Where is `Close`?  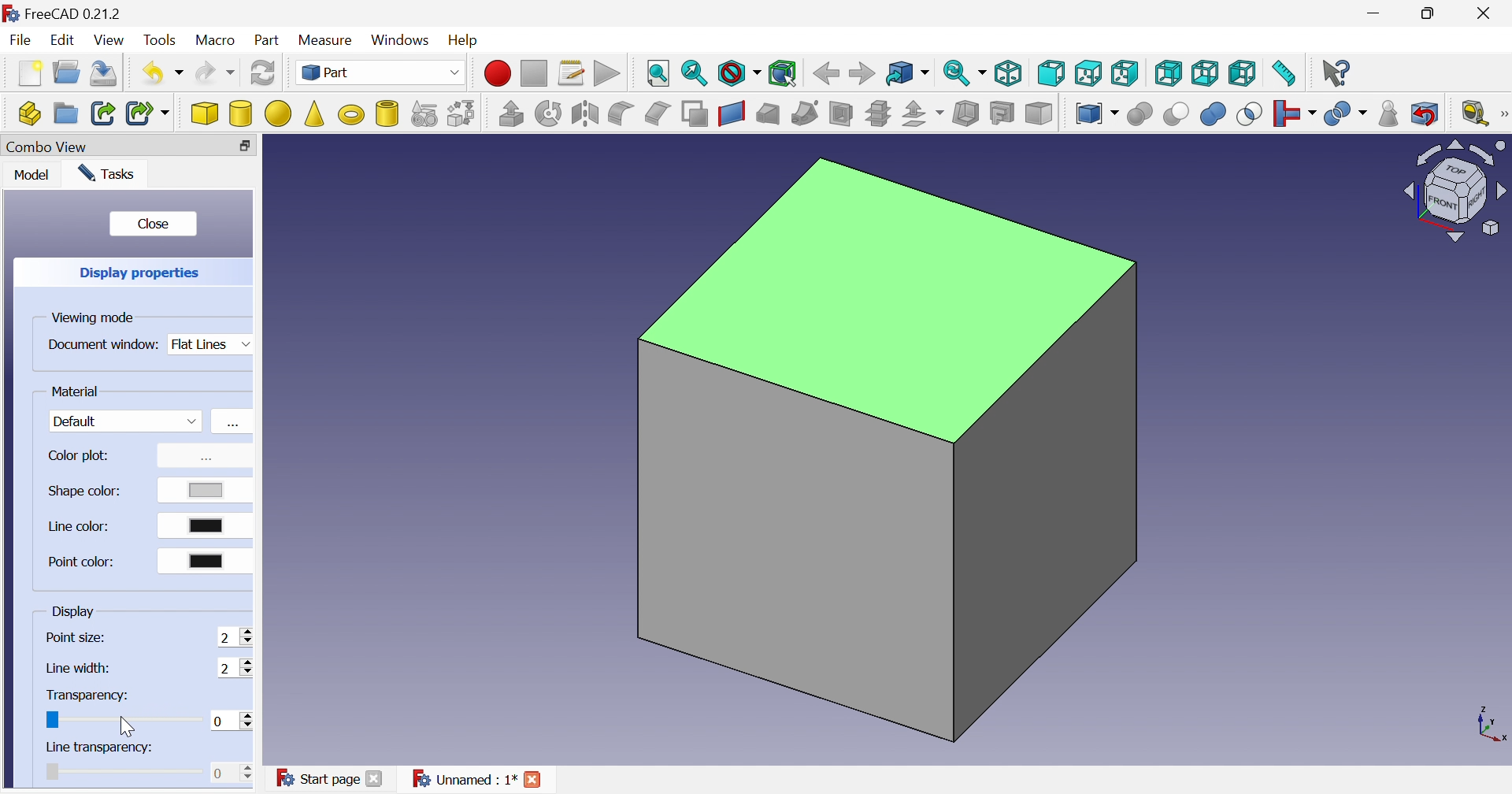 Close is located at coordinates (246, 146).